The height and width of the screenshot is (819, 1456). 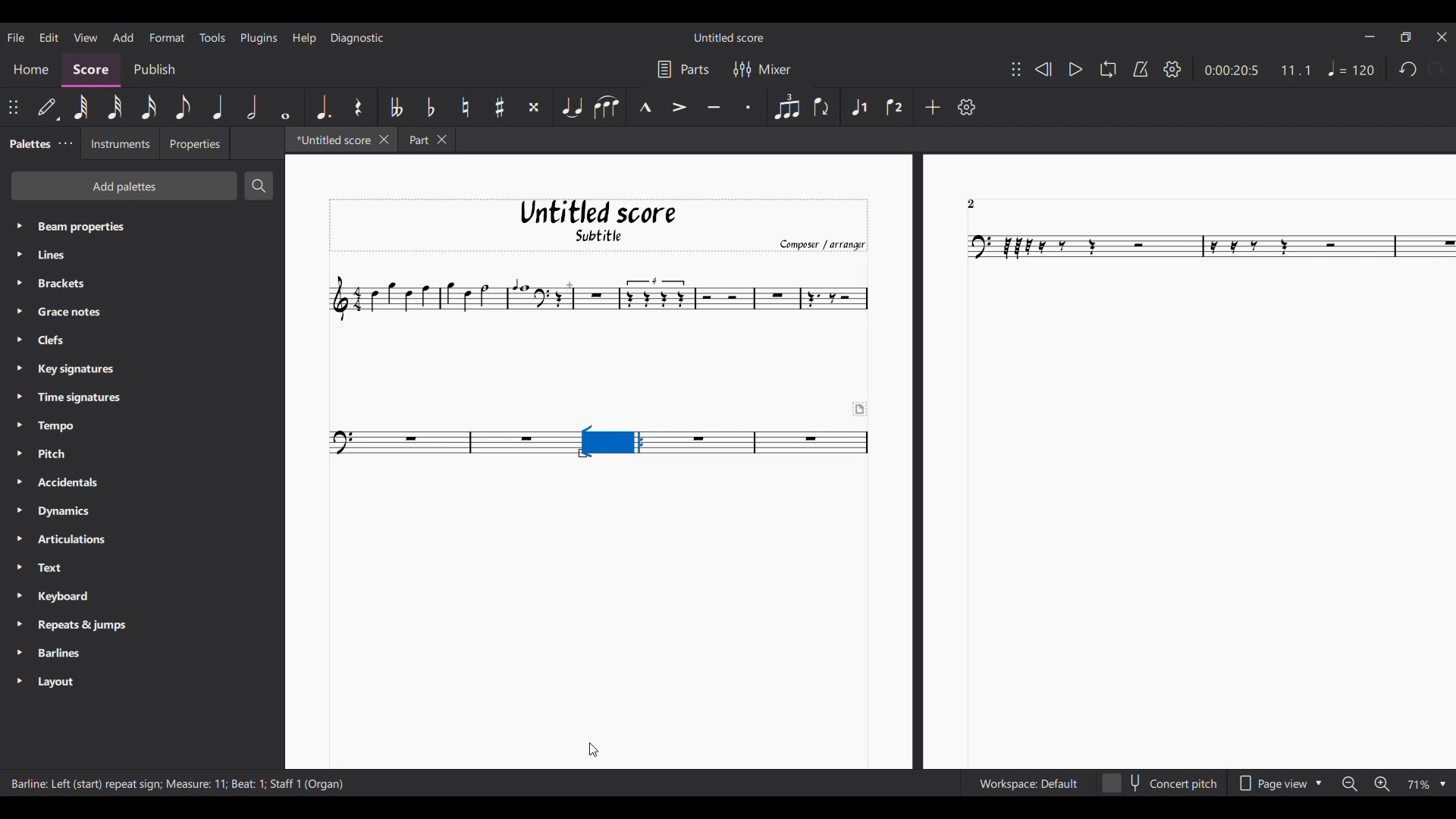 What do you see at coordinates (871, 460) in the screenshot?
I see `Current score` at bounding box center [871, 460].